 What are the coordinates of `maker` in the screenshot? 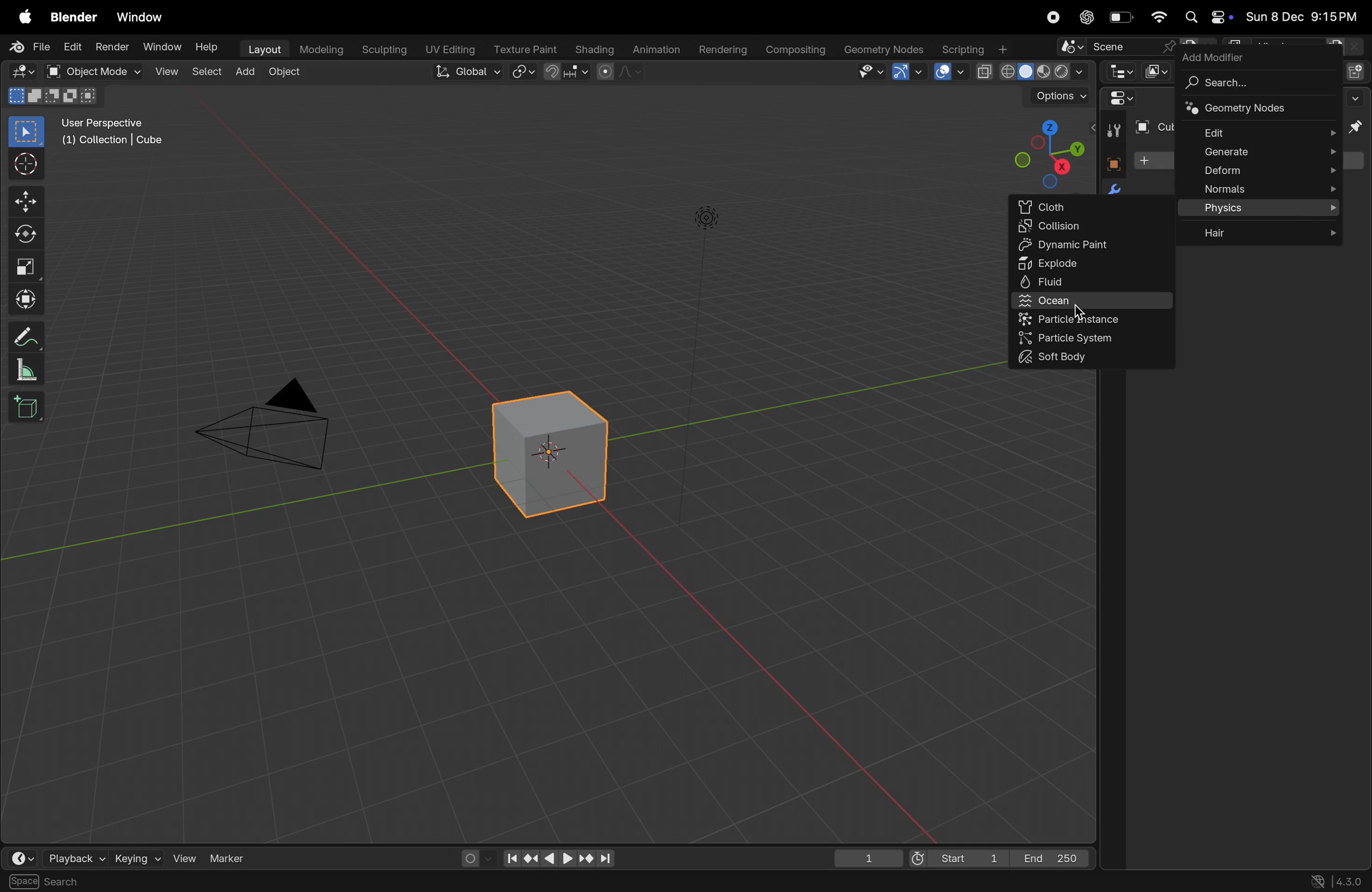 It's located at (233, 857).